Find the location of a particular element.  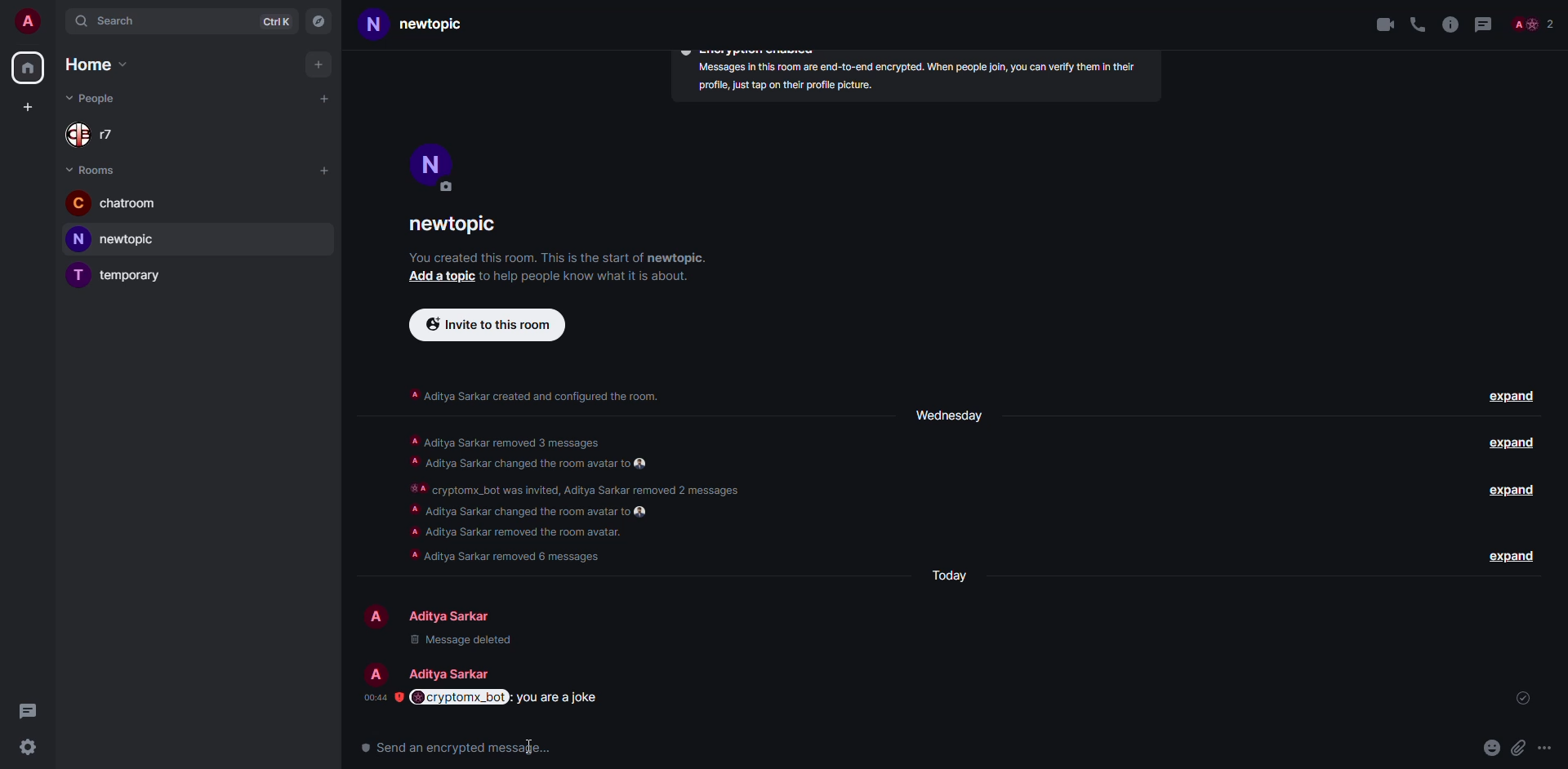

room is located at coordinates (120, 274).